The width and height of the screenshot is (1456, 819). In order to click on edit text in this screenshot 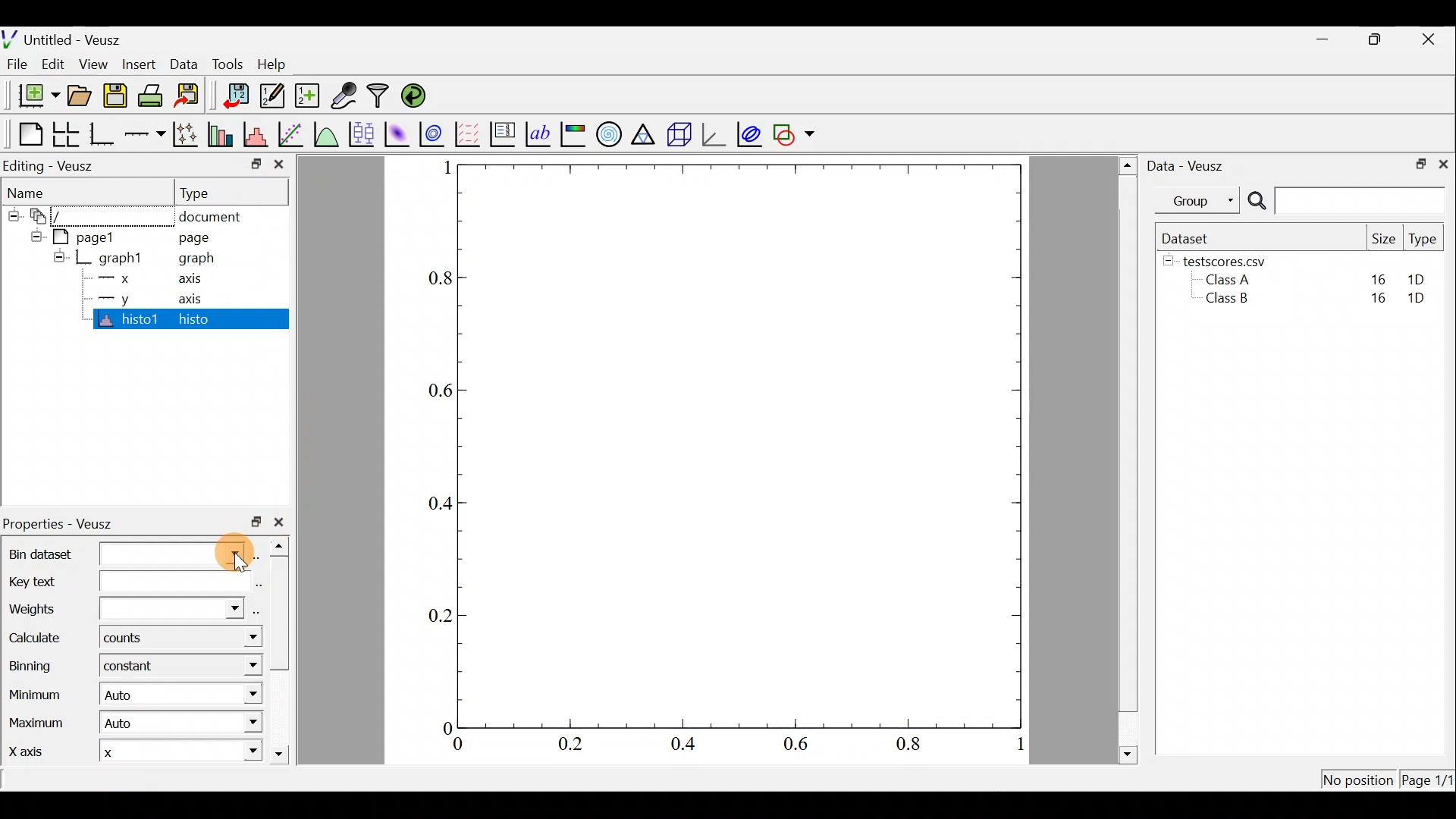, I will do `click(259, 585)`.